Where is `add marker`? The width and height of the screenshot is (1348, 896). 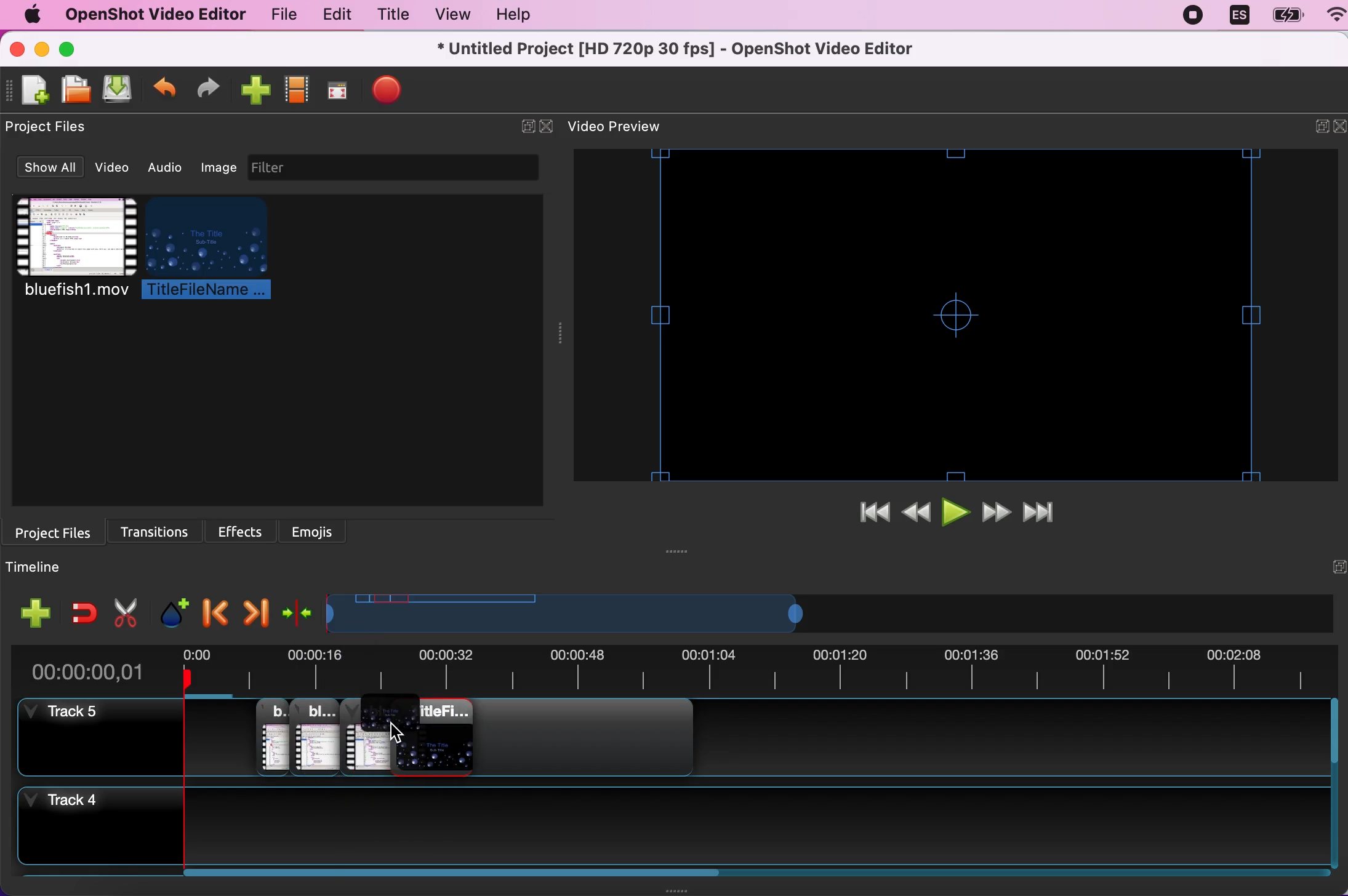
add marker is located at coordinates (173, 607).